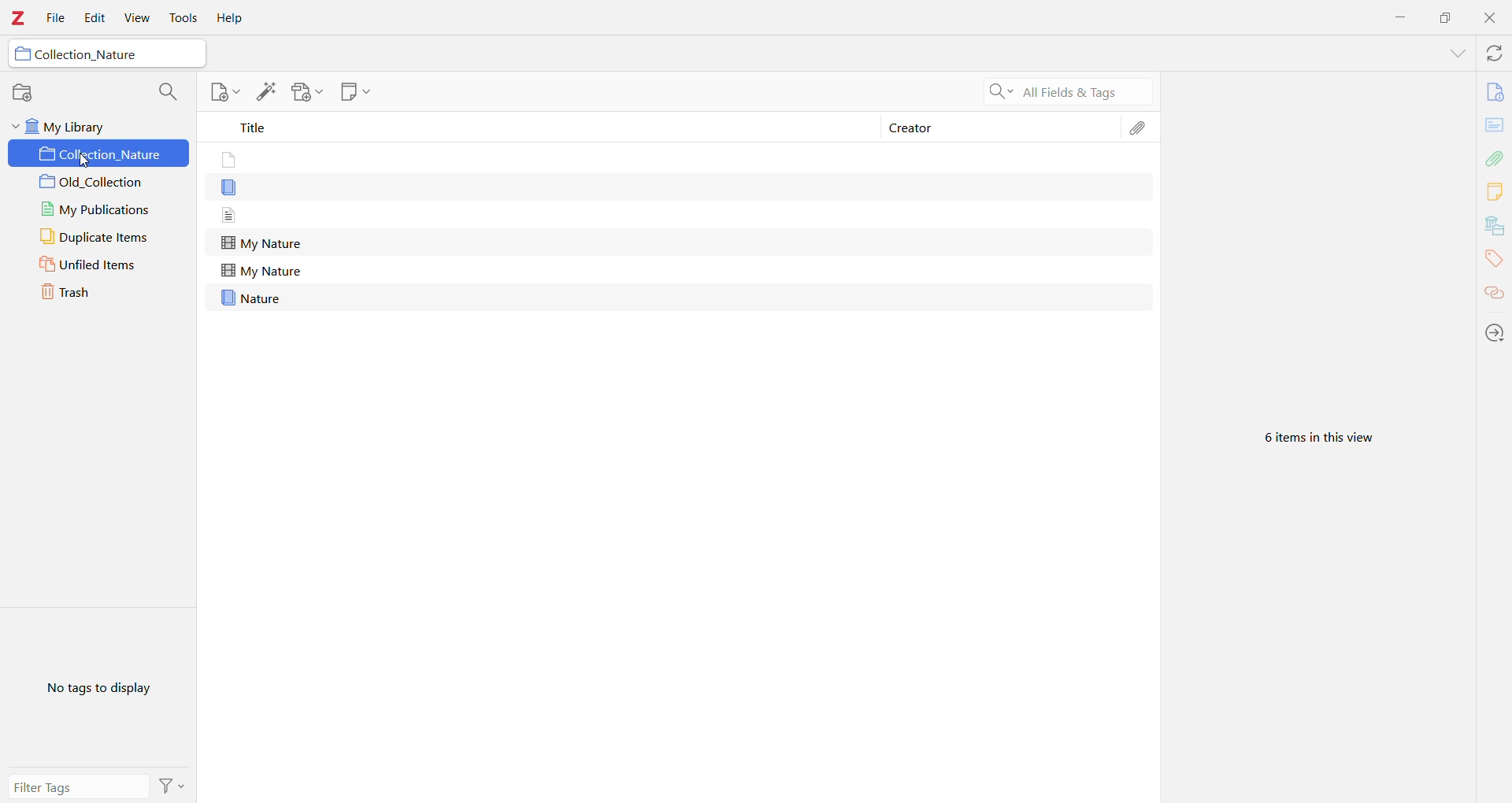 The image size is (1512, 803). I want to click on 6 items in this view, so click(1327, 439).